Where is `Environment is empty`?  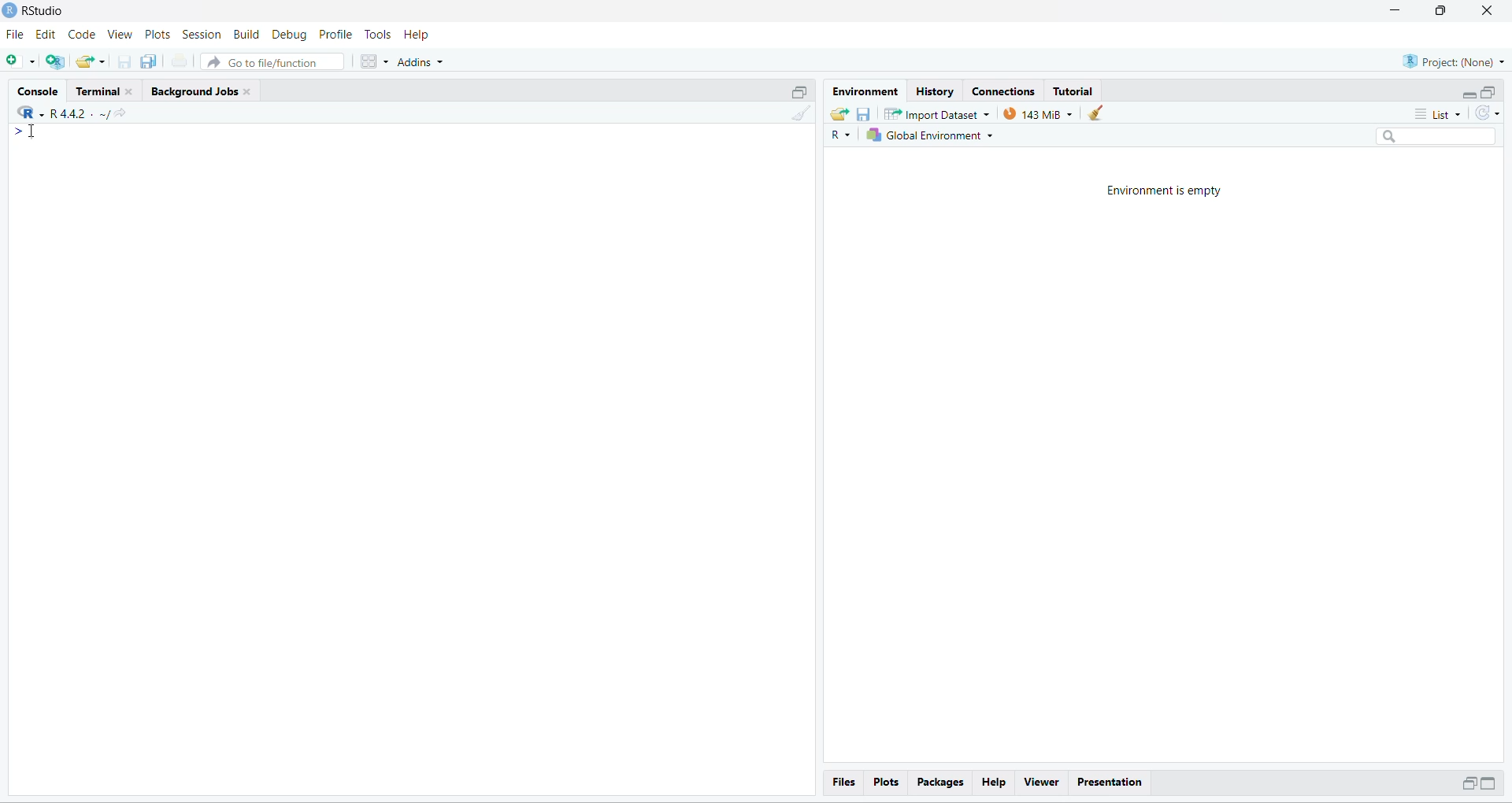
Environment is empty is located at coordinates (1165, 191).